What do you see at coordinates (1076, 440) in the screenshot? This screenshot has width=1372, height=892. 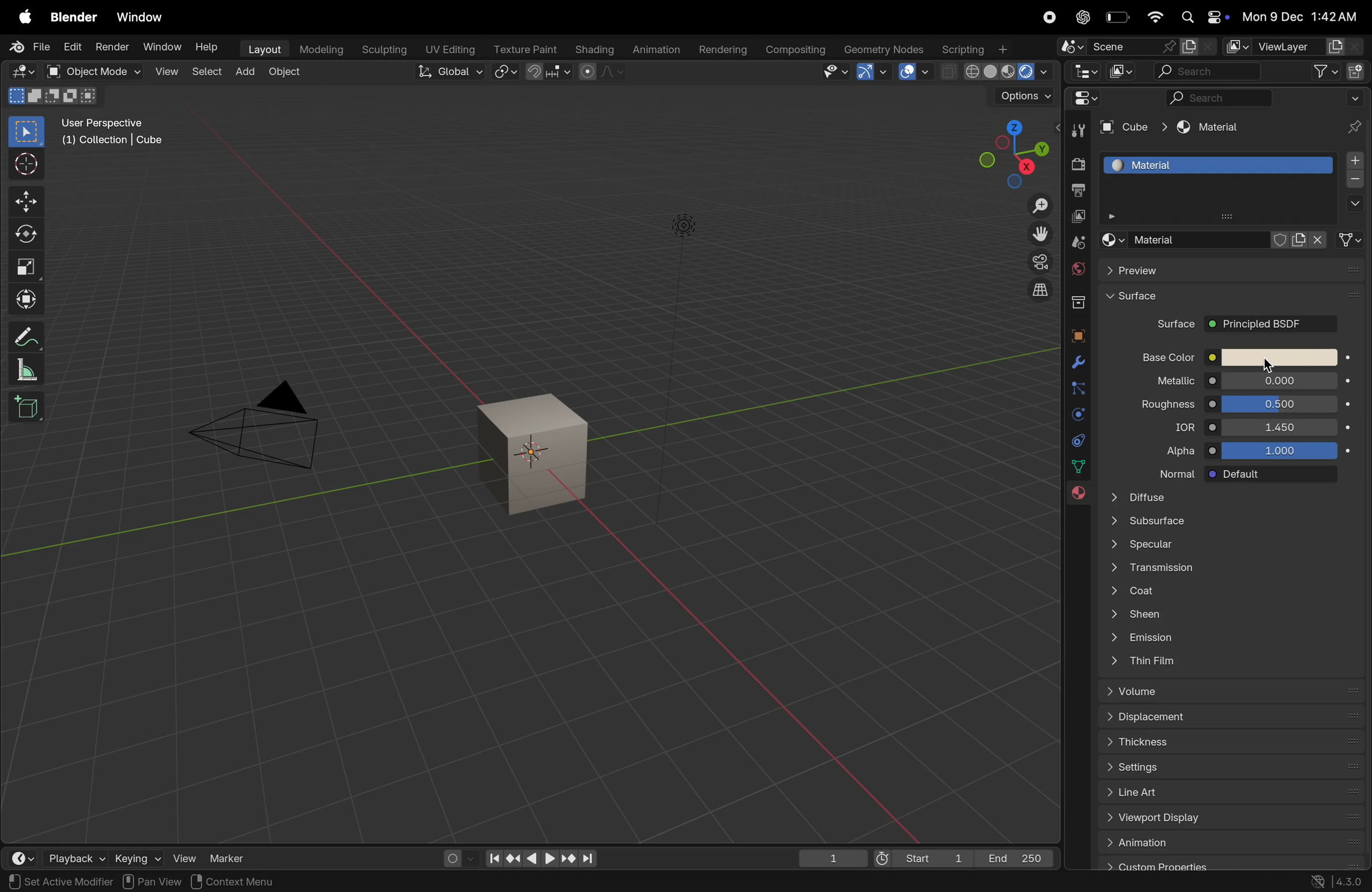 I see `constraints` at bounding box center [1076, 440].